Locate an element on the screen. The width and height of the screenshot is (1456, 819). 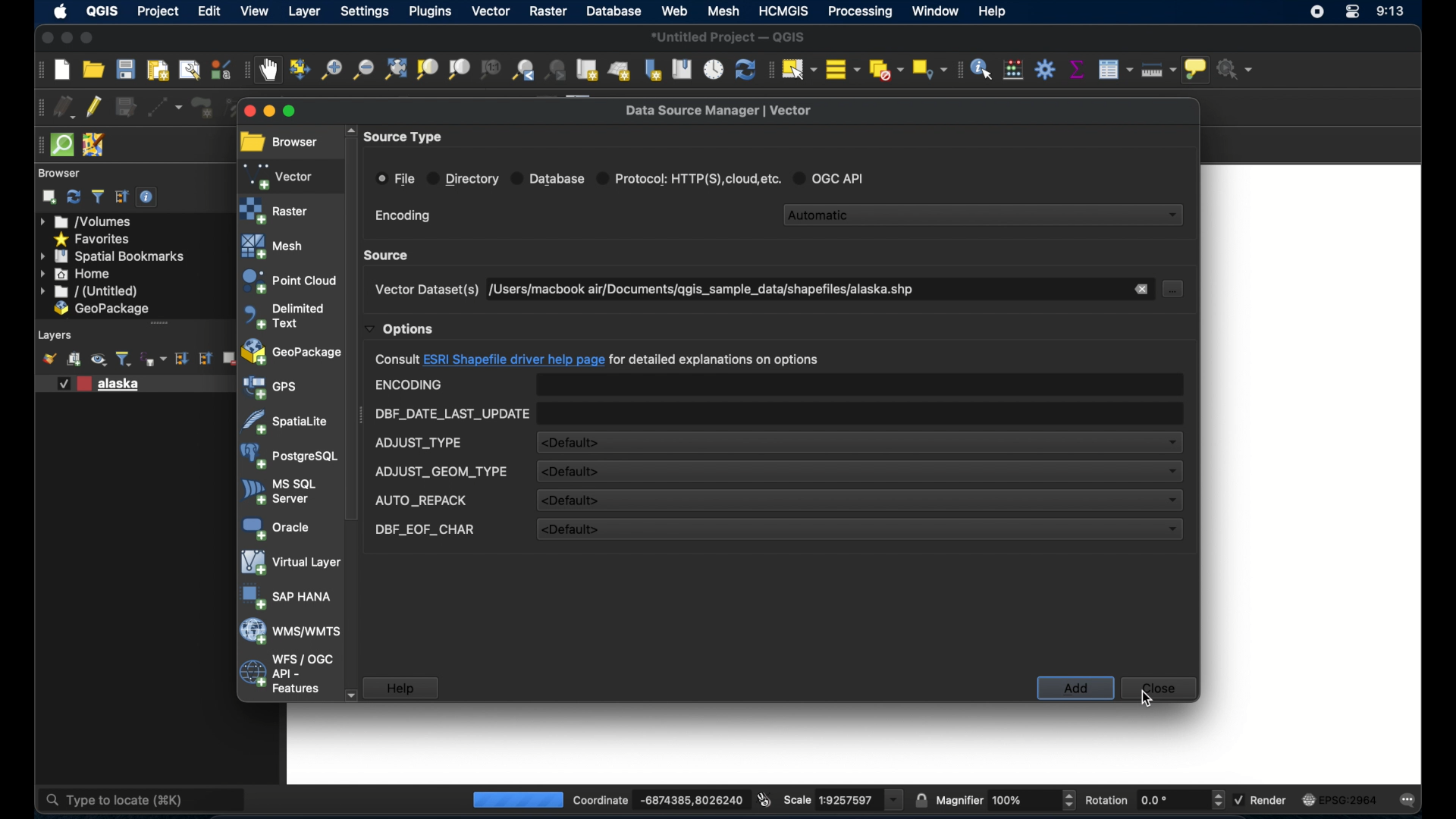
automatic dropdown is located at coordinates (985, 213).